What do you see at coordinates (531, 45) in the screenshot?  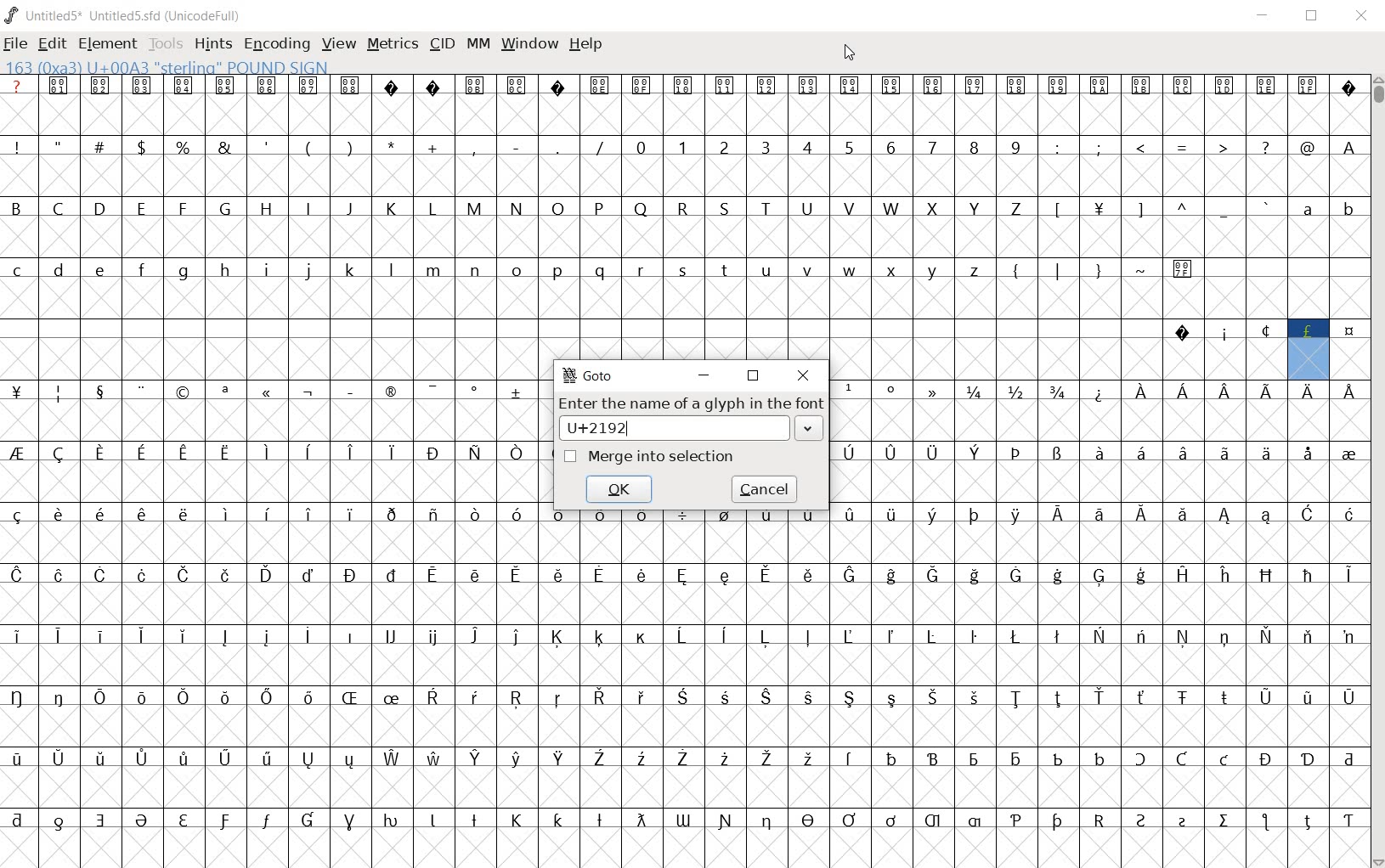 I see `WINDOW` at bounding box center [531, 45].